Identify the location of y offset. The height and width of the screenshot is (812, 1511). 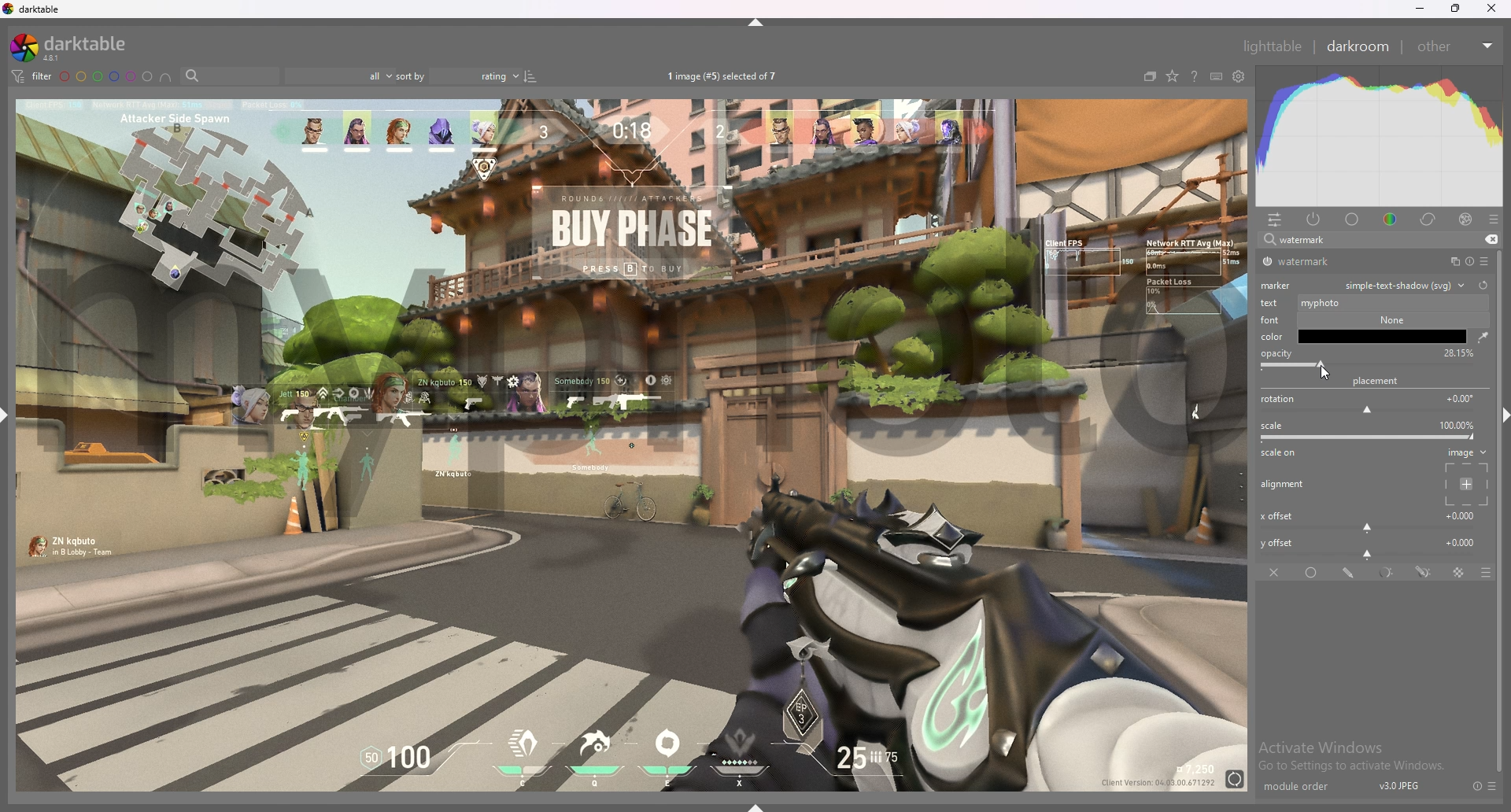
(1370, 546).